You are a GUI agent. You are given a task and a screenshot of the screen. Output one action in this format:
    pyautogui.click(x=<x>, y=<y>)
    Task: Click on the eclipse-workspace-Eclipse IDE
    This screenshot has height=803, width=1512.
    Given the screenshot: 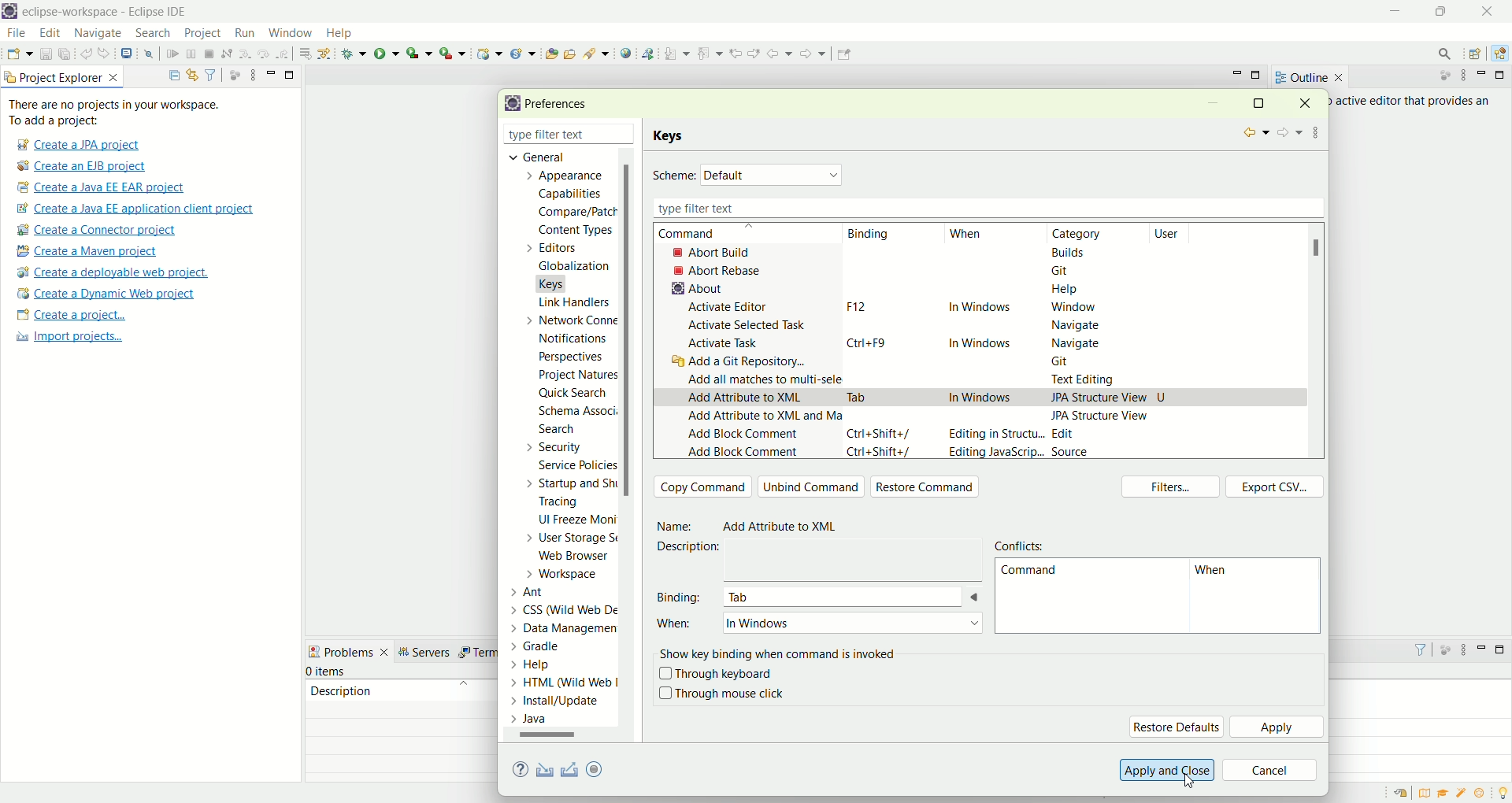 What is the action you would take?
    pyautogui.click(x=103, y=13)
    